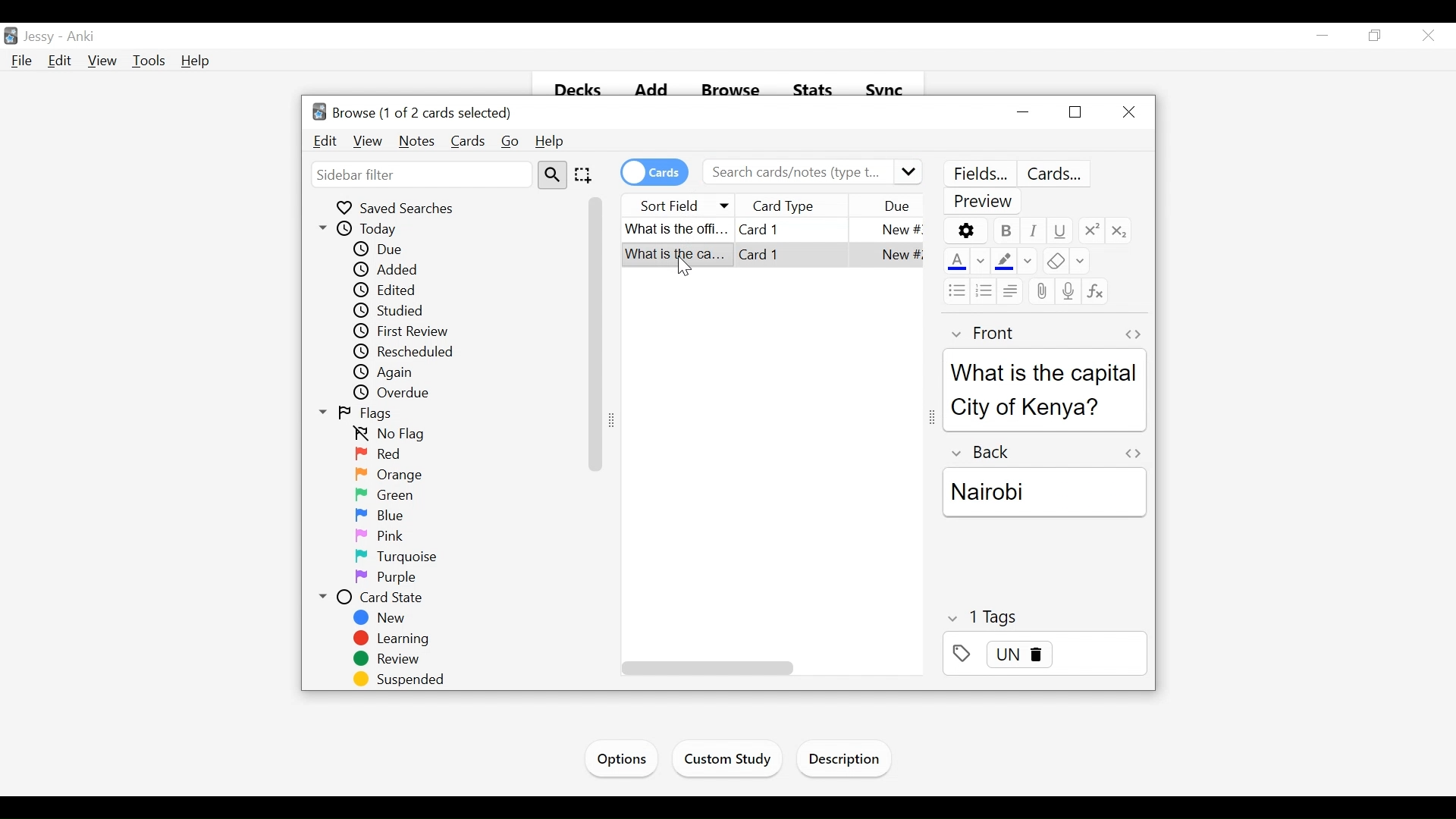 This screenshot has width=1456, height=819. I want to click on Browse (out of cards selected), so click(415, 113).